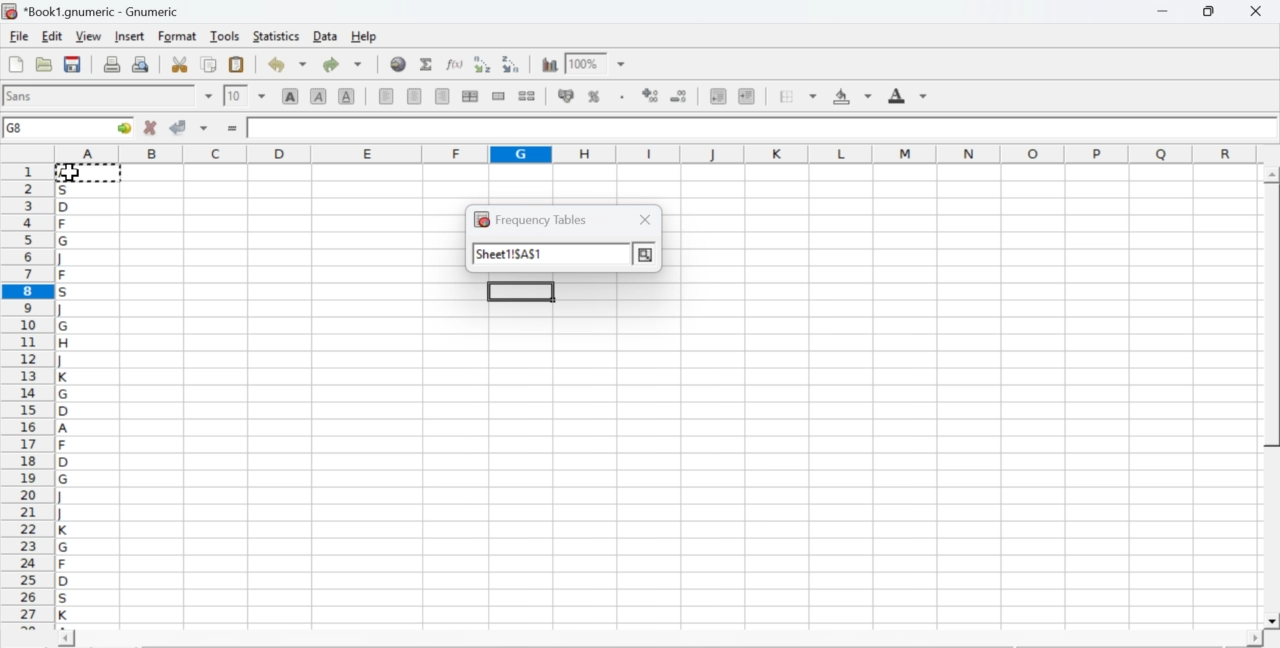 The image size is (1280, 648). What do you see at coordinates (650, 96) in the screenshot?
I see `decrease number of decimals displayed` at bounding box center [650, 96].